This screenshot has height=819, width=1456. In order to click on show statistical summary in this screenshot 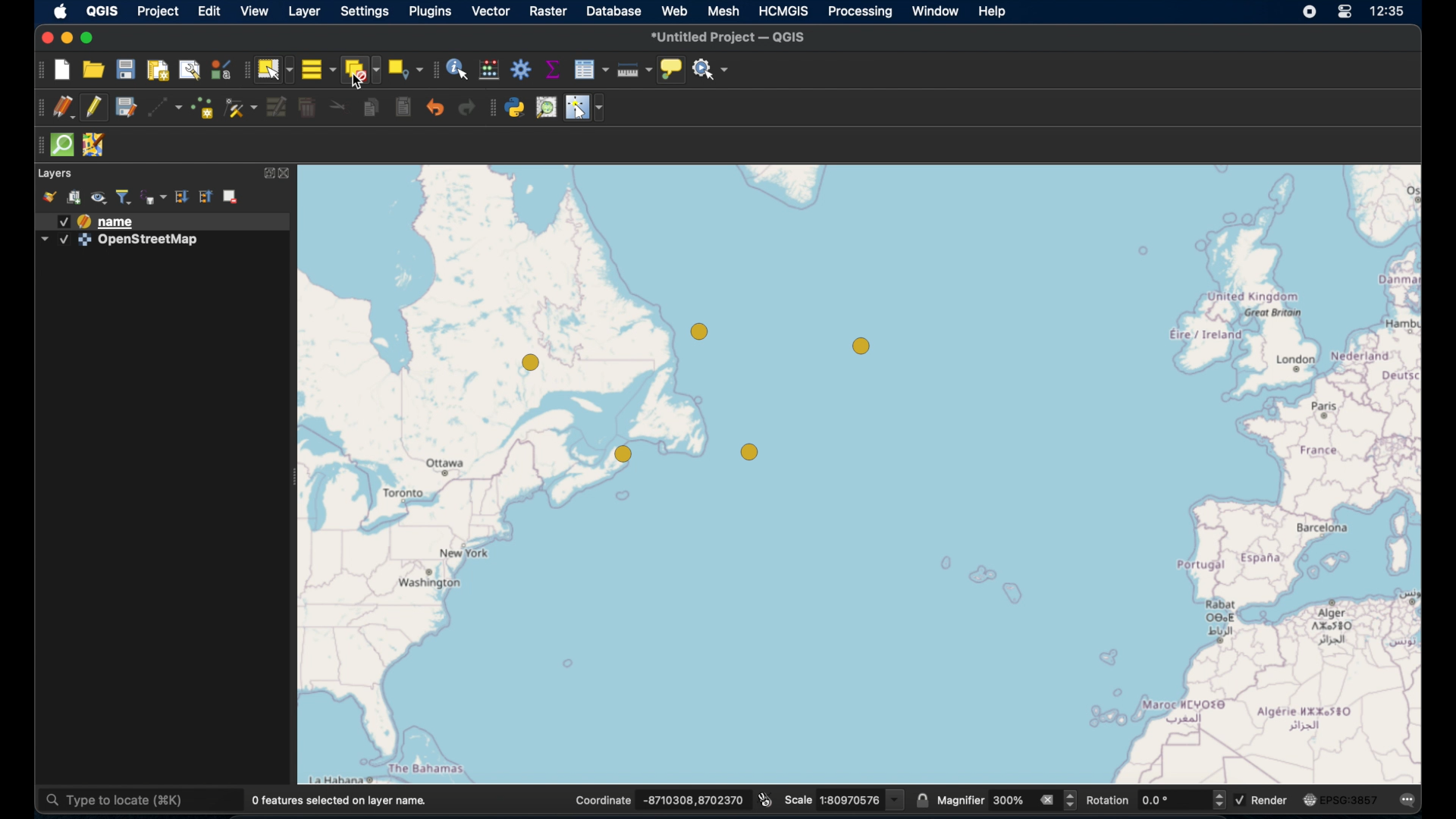, I will do `click(551, 69)`.